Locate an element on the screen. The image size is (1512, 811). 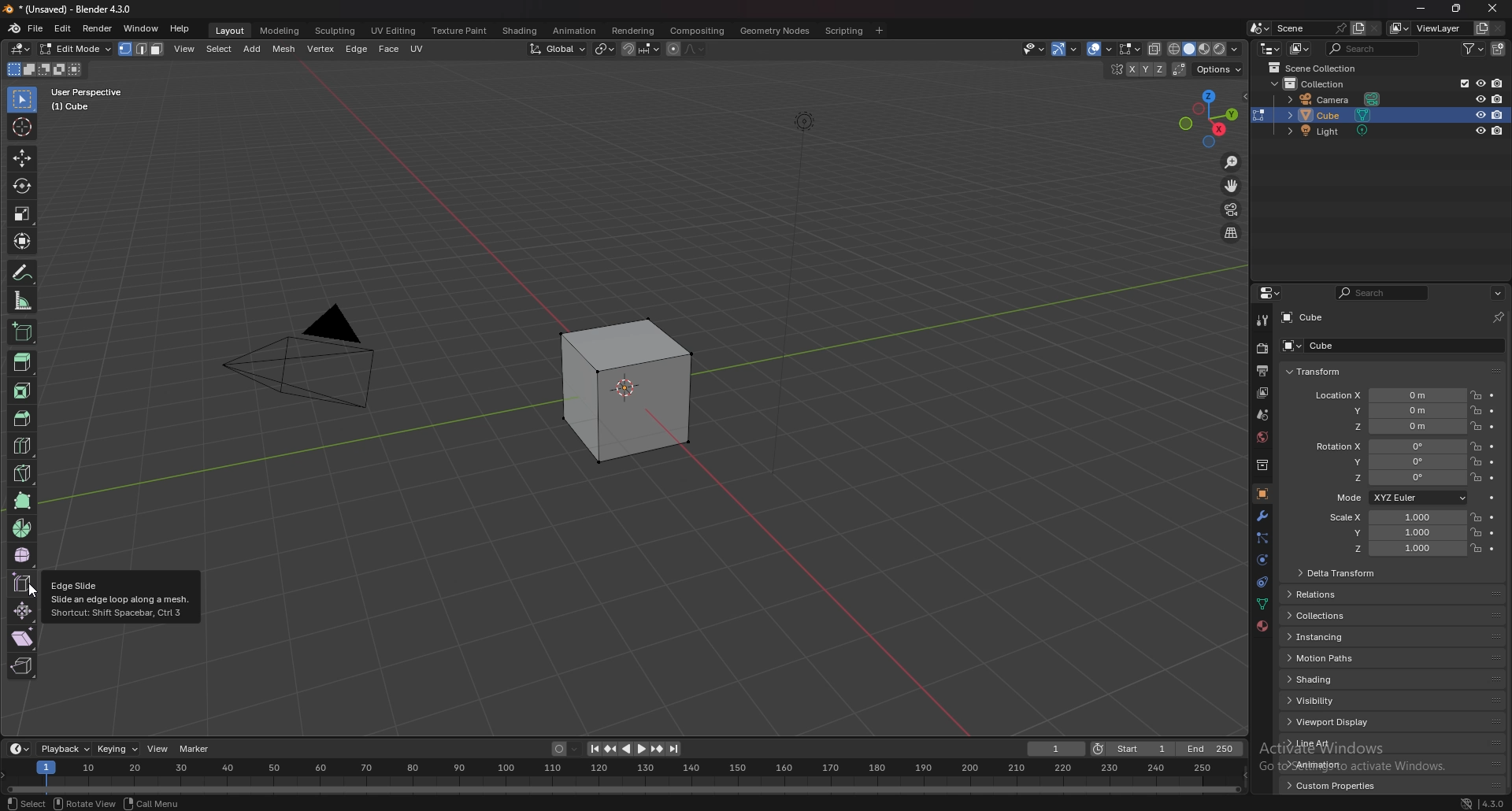
hide in viewport is located at coordinates (1478, 131).